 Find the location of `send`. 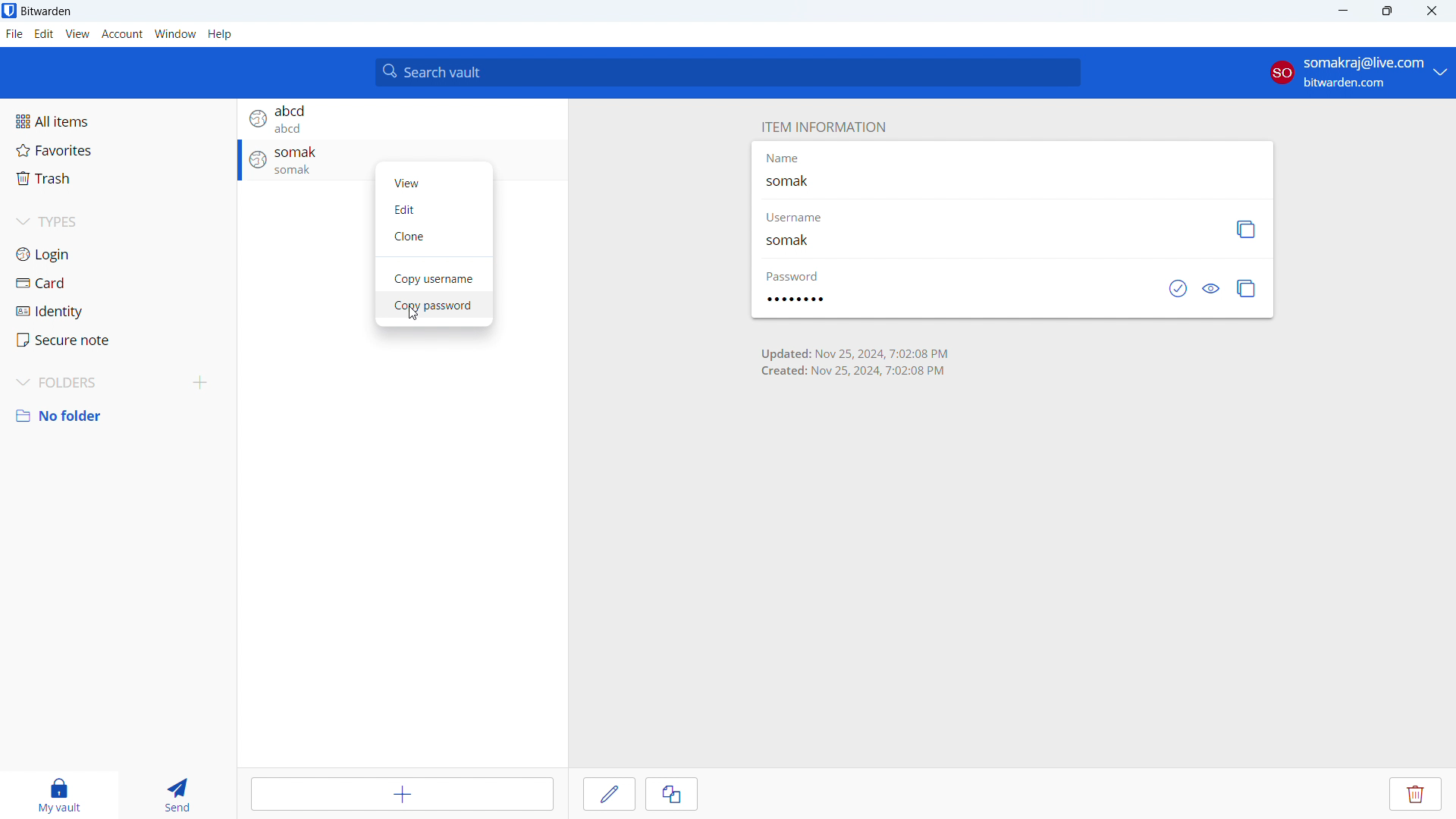

send is located at coordinates (184, 795).